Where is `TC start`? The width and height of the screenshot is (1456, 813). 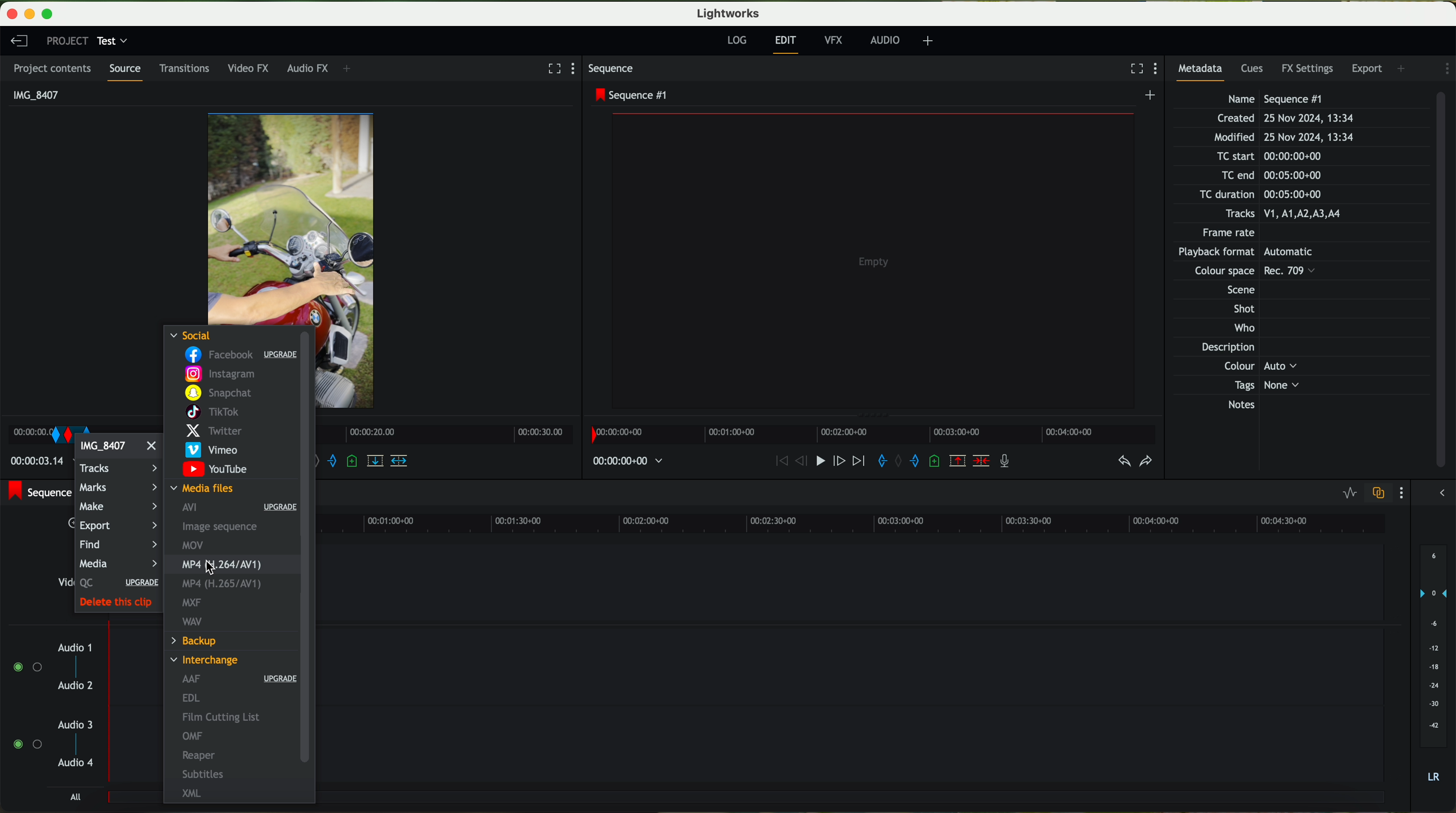 TC start is located at coordinates (1267, 157).